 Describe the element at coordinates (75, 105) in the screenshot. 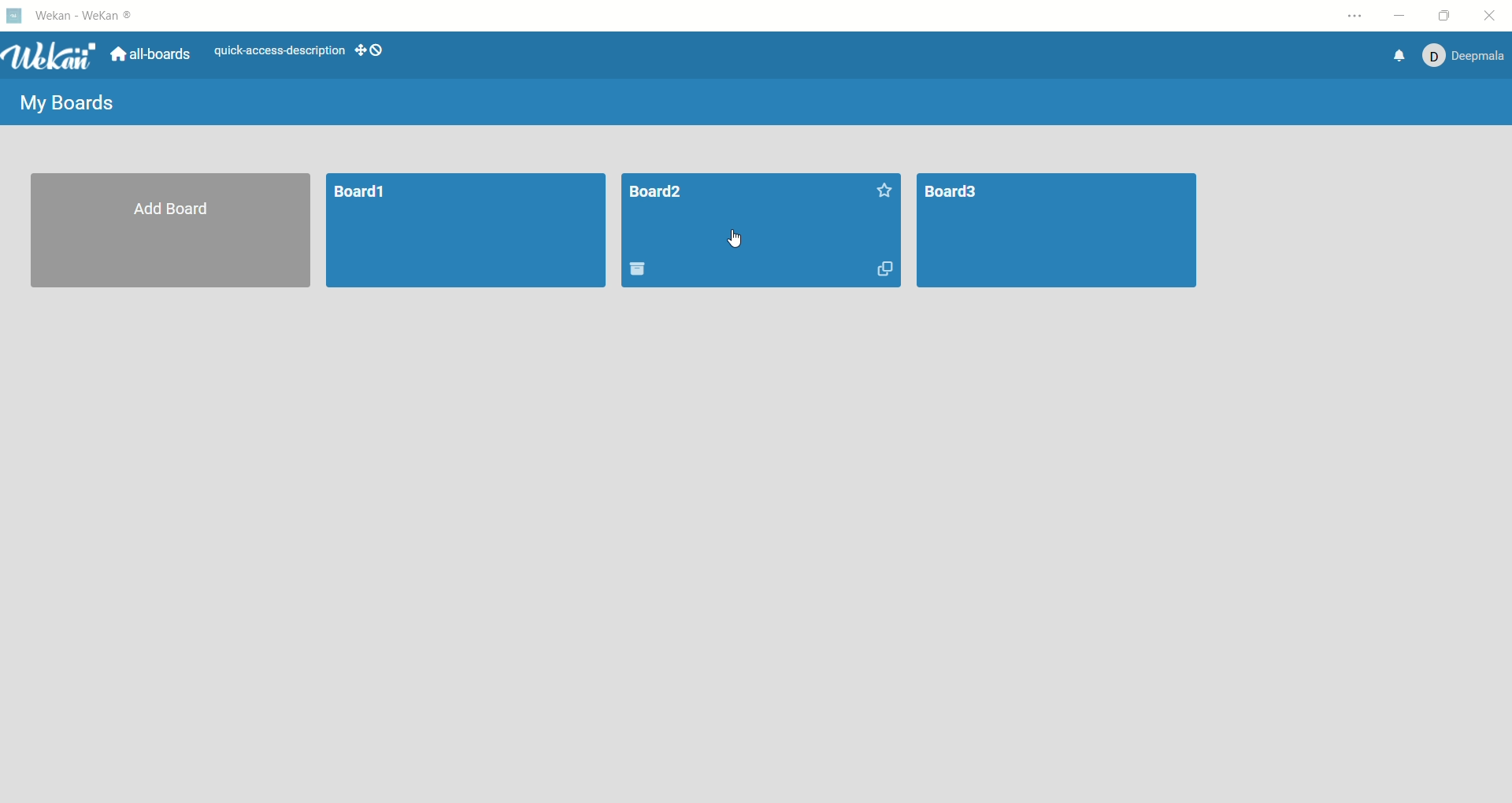

I see `my boards` at that location.